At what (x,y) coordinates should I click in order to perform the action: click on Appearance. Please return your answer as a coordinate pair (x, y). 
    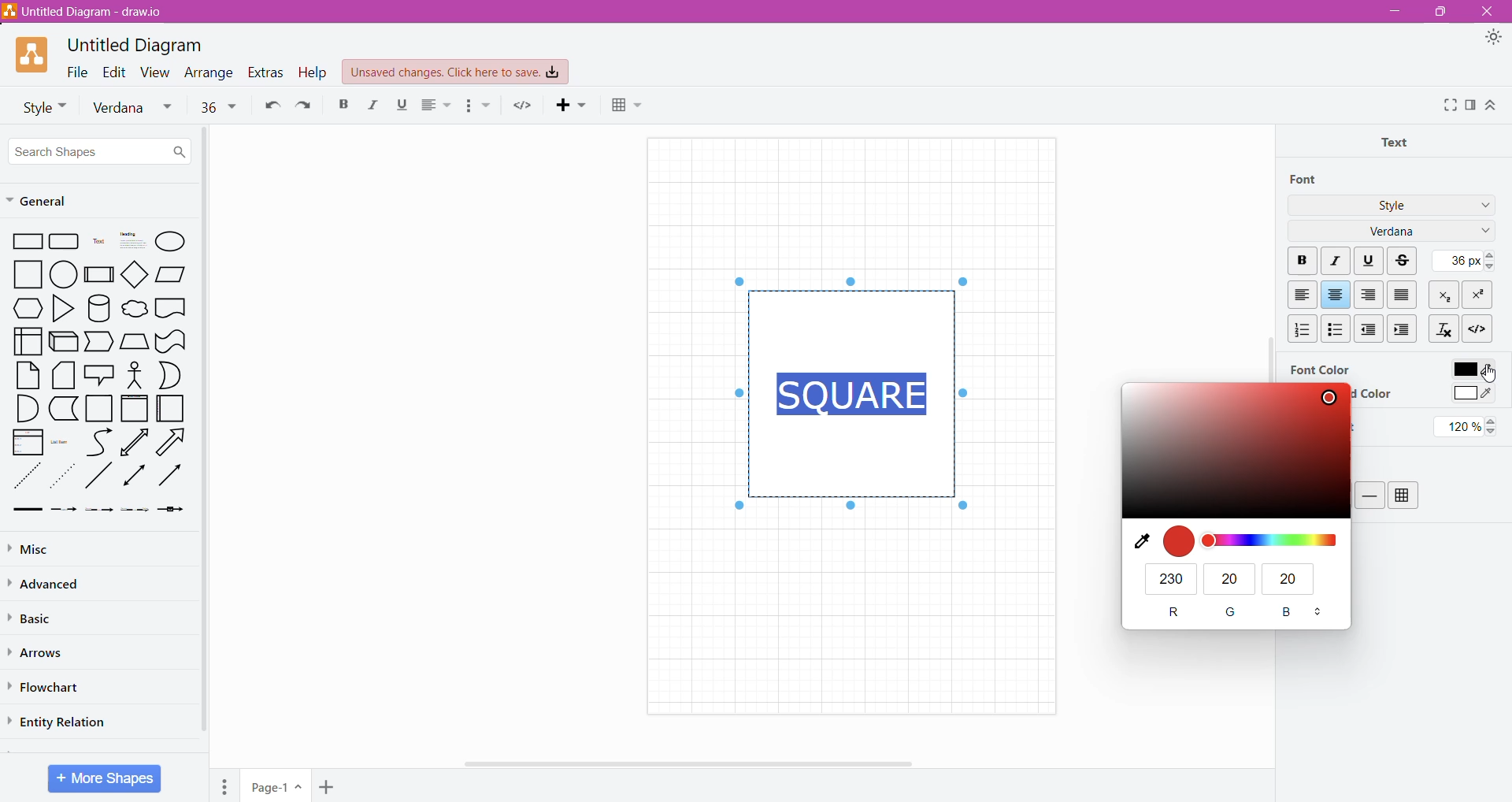
    Looking at the image, I should click on (1493, 38).